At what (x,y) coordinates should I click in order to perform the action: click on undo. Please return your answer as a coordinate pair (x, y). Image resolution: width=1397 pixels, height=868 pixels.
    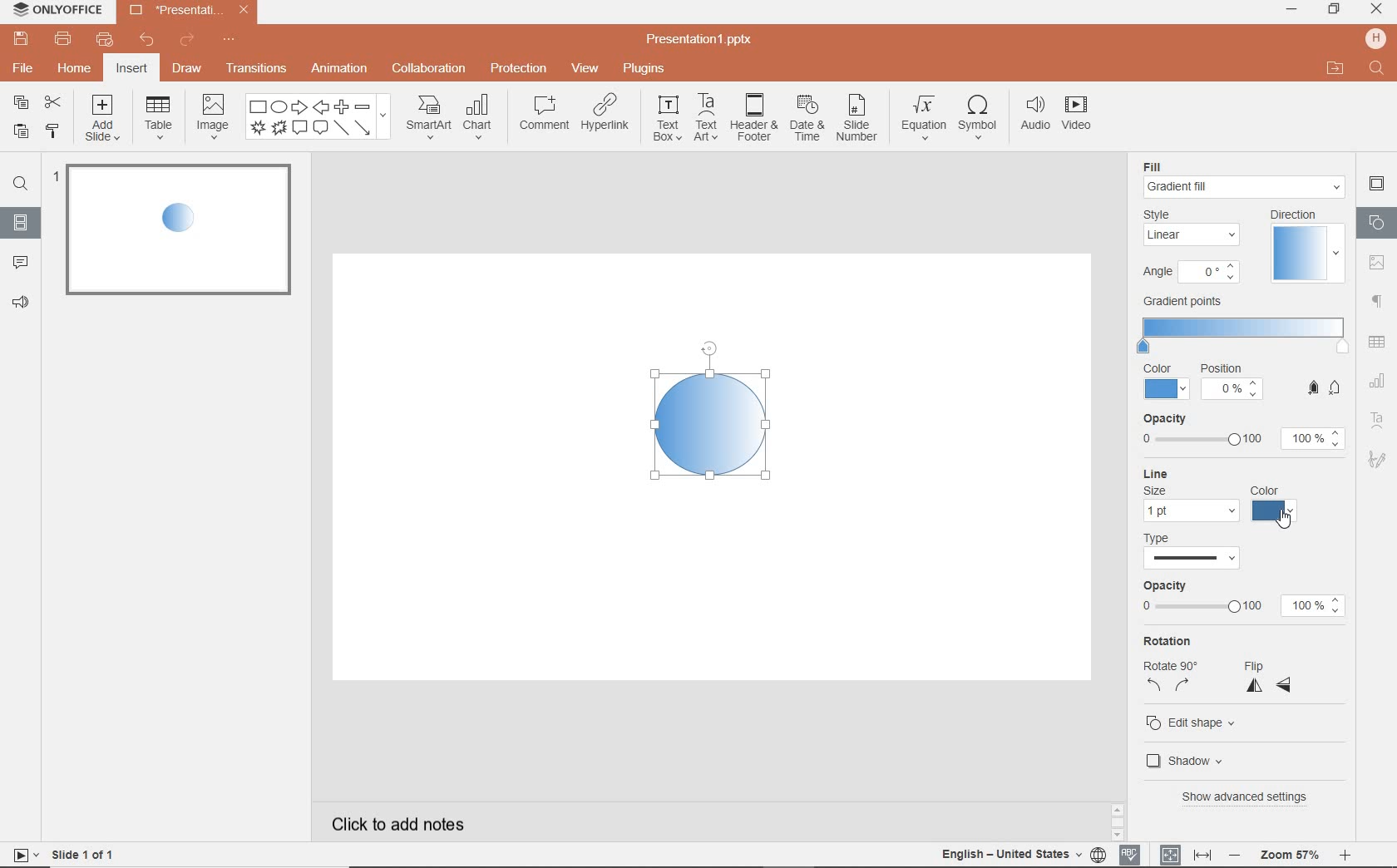
    Looking at the image, I should click on (149, 41).